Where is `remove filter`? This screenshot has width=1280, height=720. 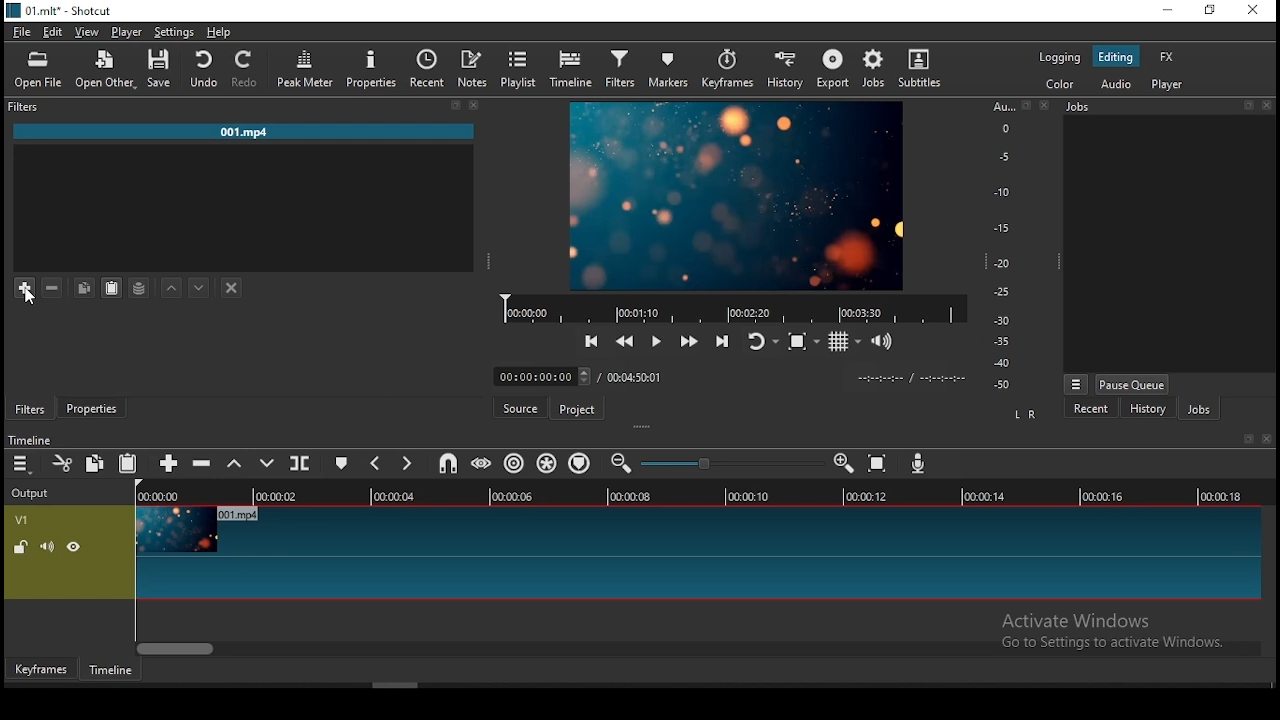
remove filter is located at coordinates (53, 287).